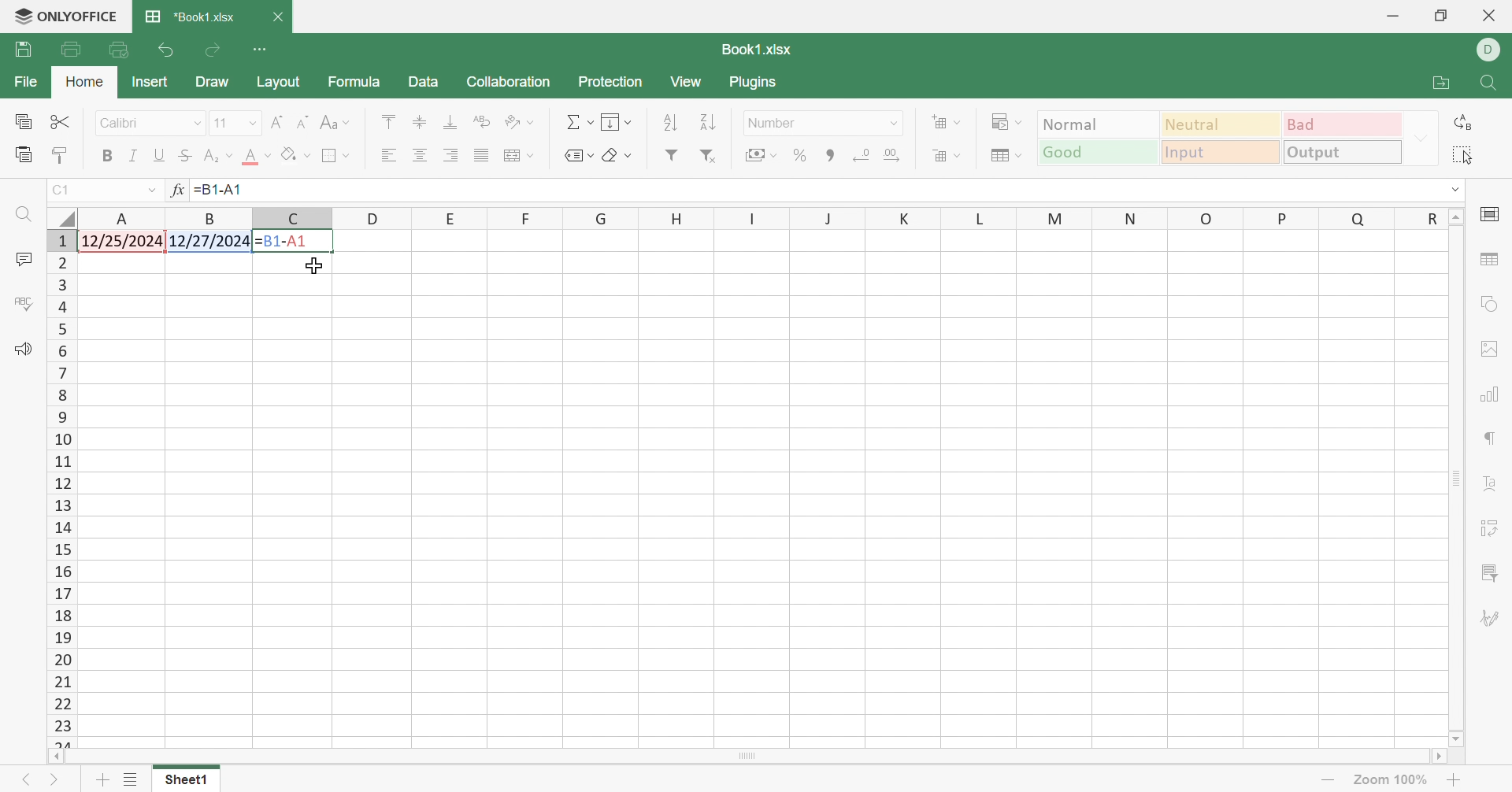 The width and height of the screenshot is (1512, 792). I want to click on Good, so click(1095, 153).